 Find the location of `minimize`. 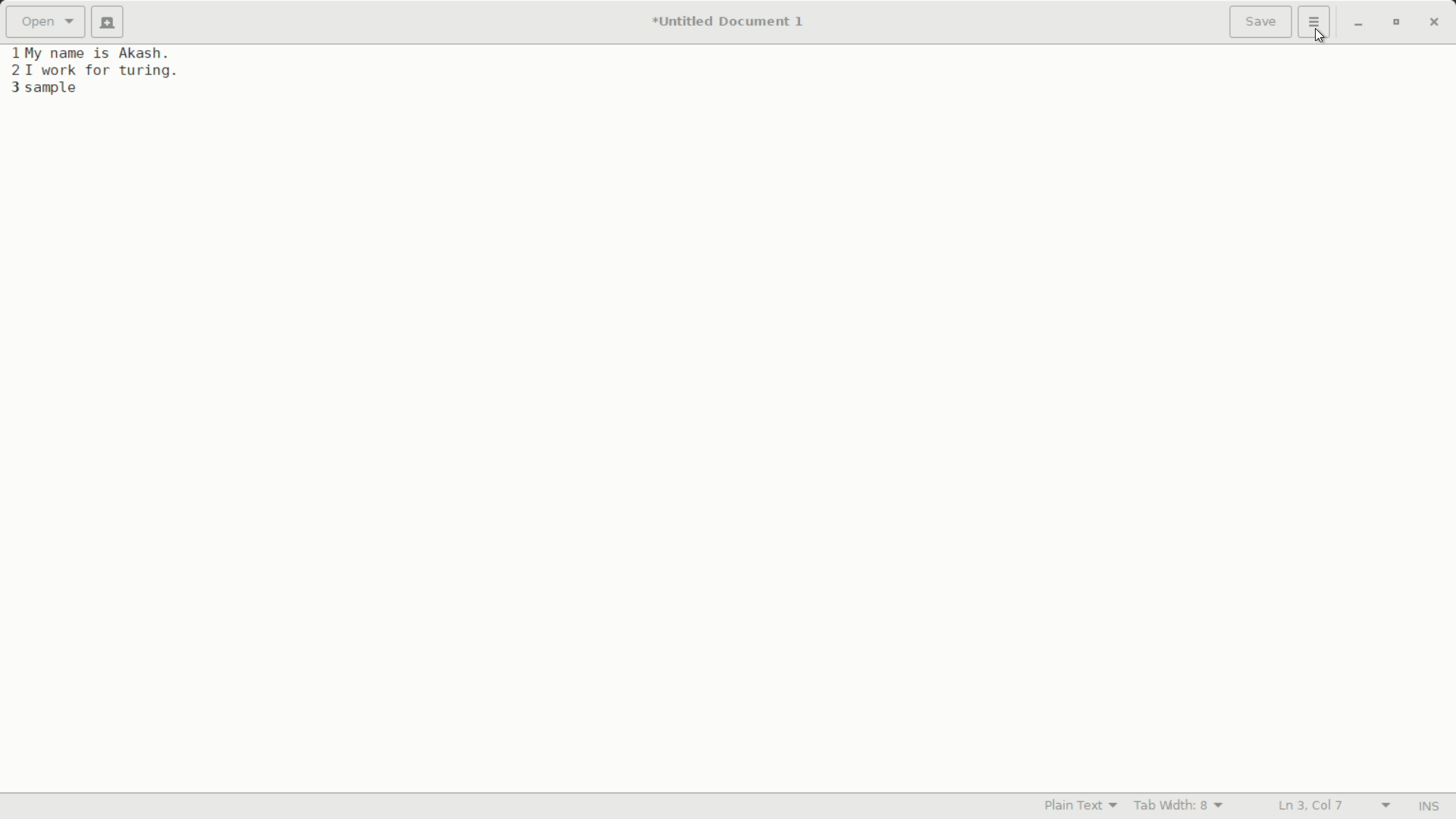

minimize is located at coordinates (1358, 24).